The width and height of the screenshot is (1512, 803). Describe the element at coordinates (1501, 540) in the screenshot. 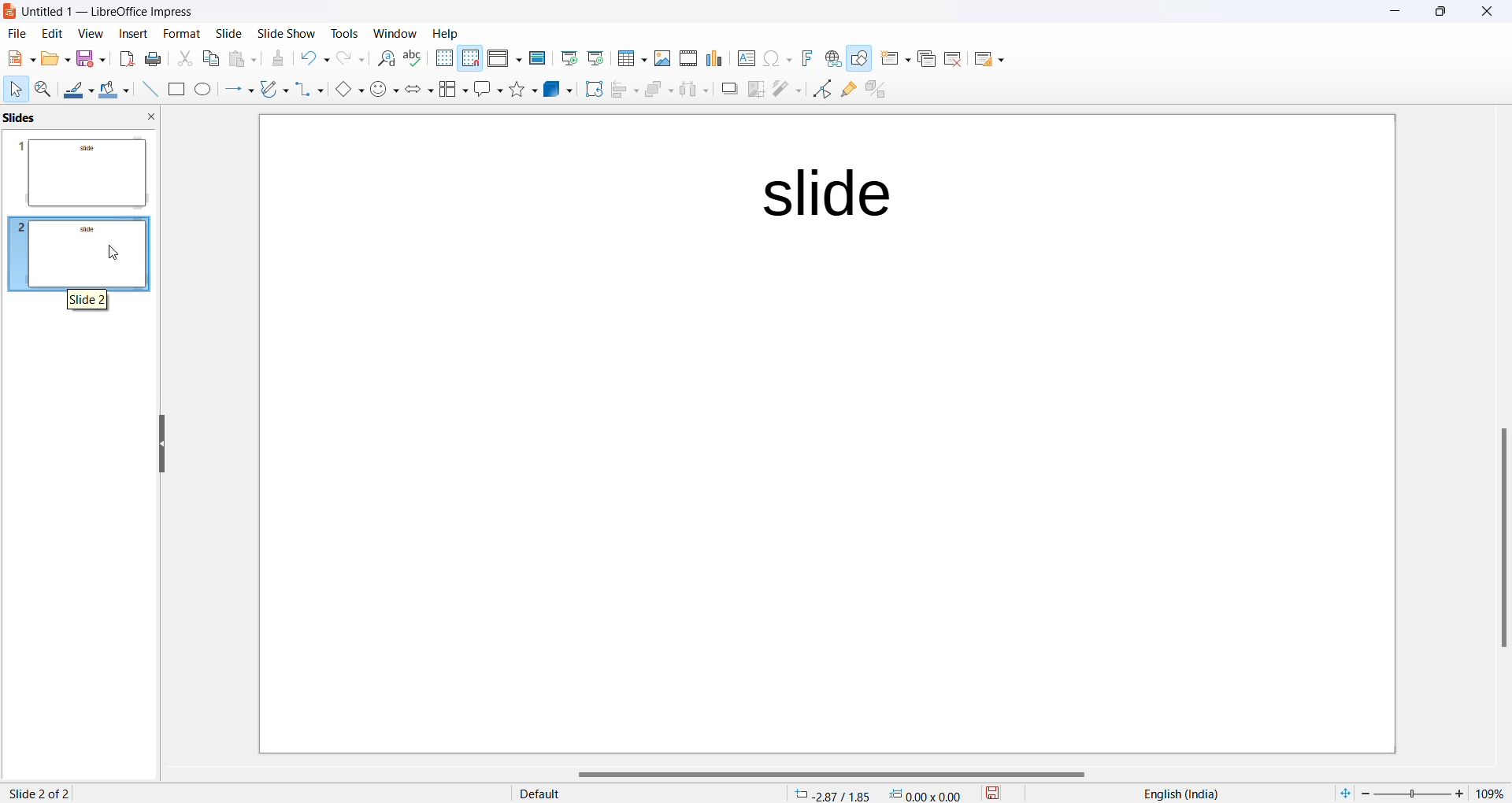

I see `scroll bar` at that location.